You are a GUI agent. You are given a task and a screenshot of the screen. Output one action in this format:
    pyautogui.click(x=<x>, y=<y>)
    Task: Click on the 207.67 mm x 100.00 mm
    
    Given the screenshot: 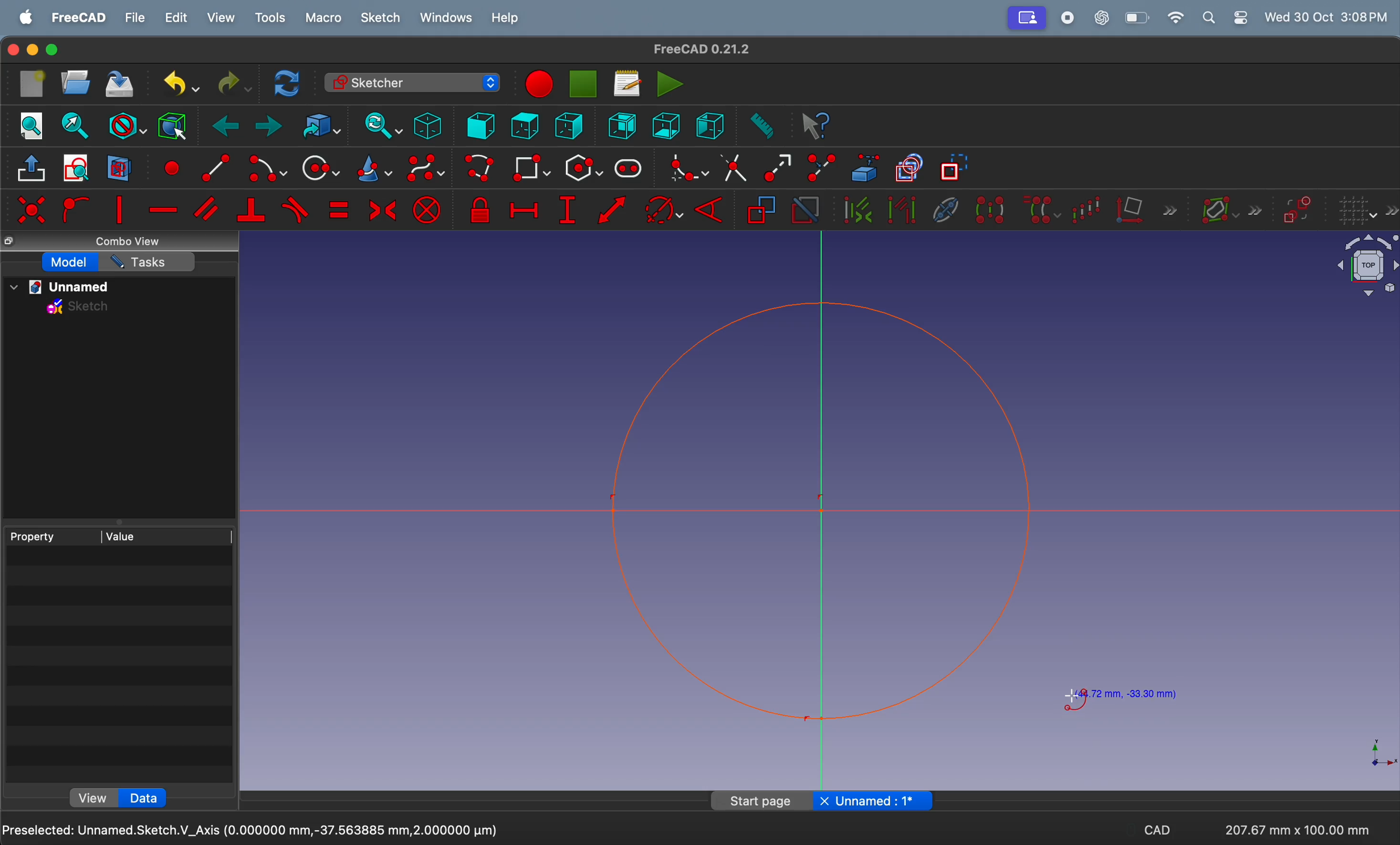 What is the action you would take?
    pyautogui.click(x=1295, y=830)
    